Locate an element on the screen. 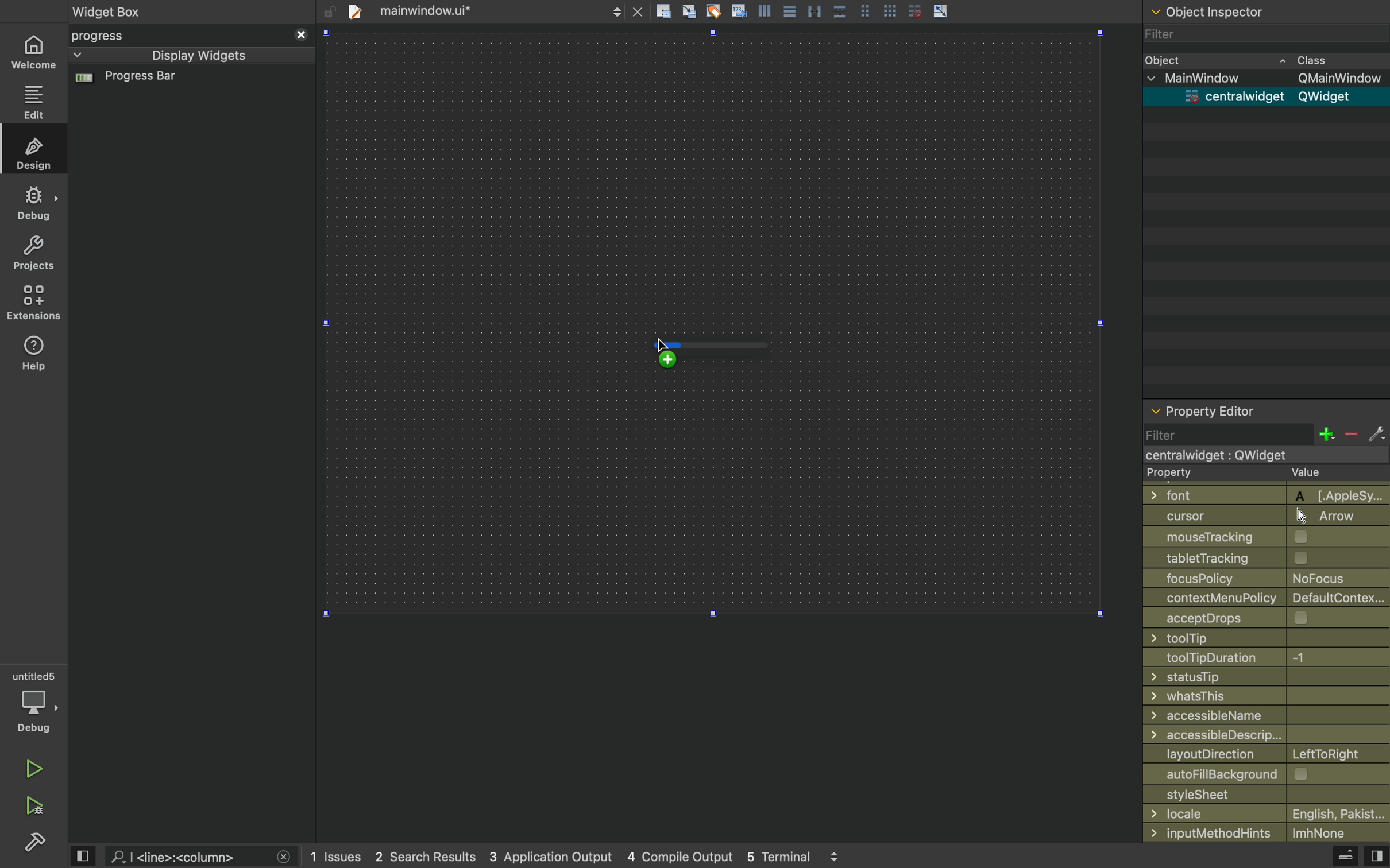  whatisthis is located at coordinates (1257, 697).